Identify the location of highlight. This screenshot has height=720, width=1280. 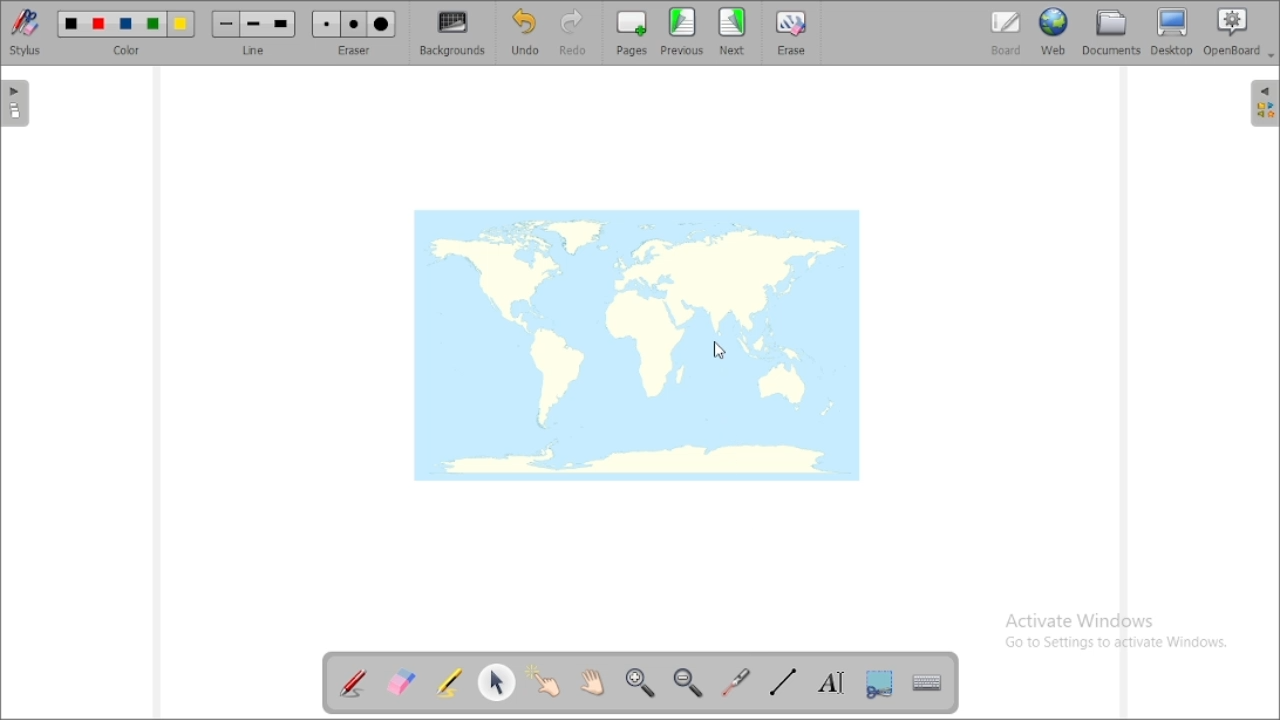
(448, 682).